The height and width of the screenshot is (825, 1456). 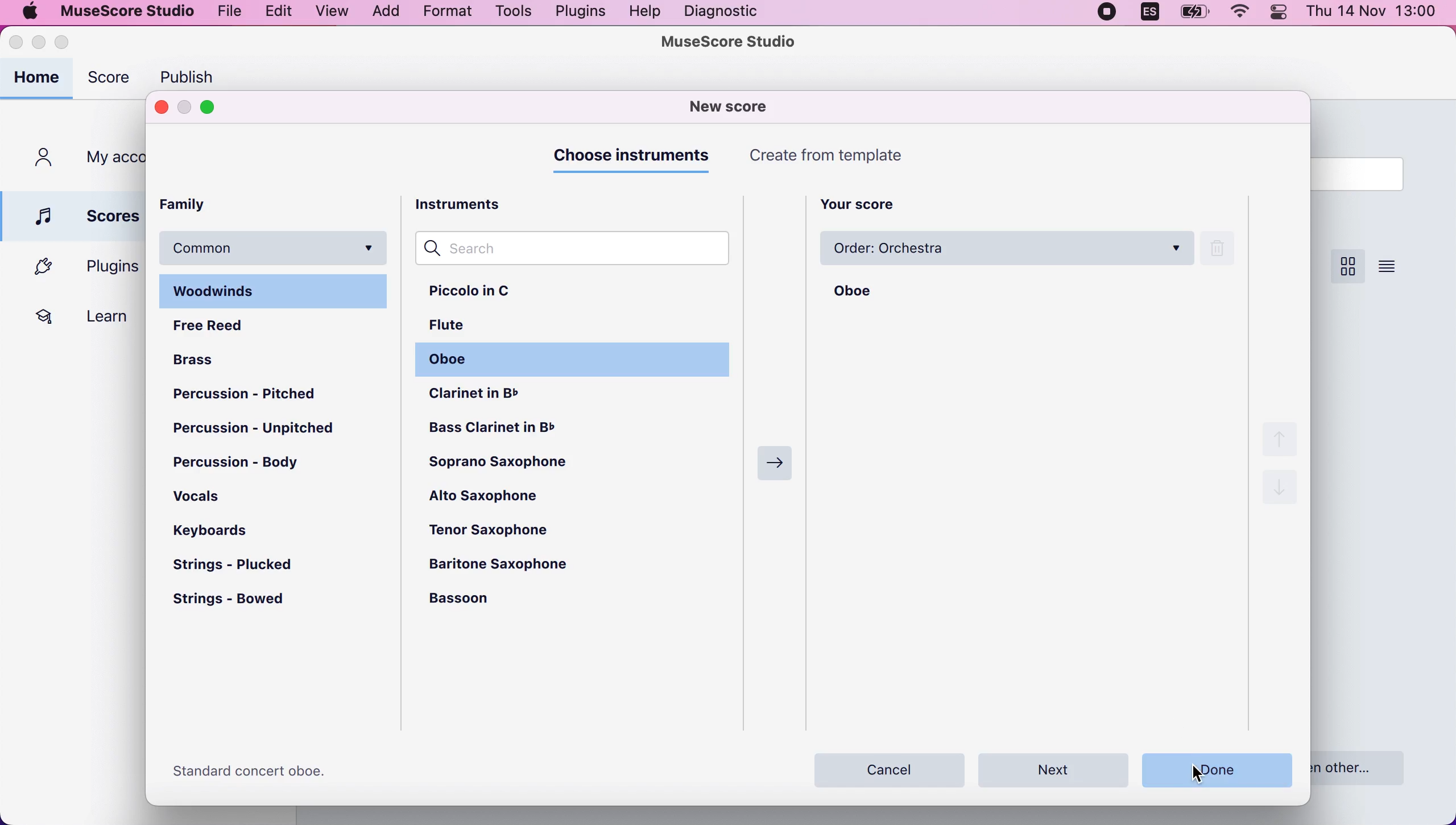 What do you see at coordinates (276, 290) in the screenshot?
I see `woodwinds` at bounding box center [276, 290].